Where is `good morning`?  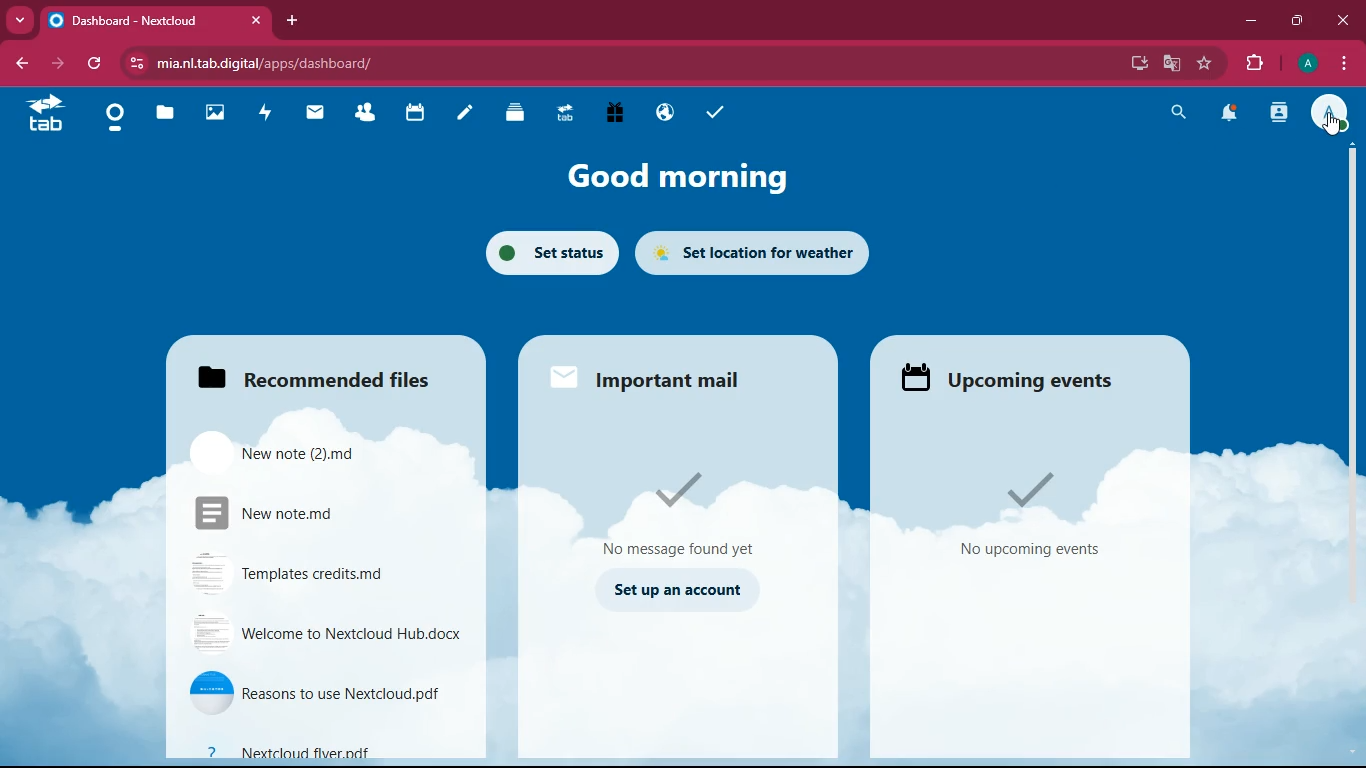 good morning is located at coordinates (673, 177).